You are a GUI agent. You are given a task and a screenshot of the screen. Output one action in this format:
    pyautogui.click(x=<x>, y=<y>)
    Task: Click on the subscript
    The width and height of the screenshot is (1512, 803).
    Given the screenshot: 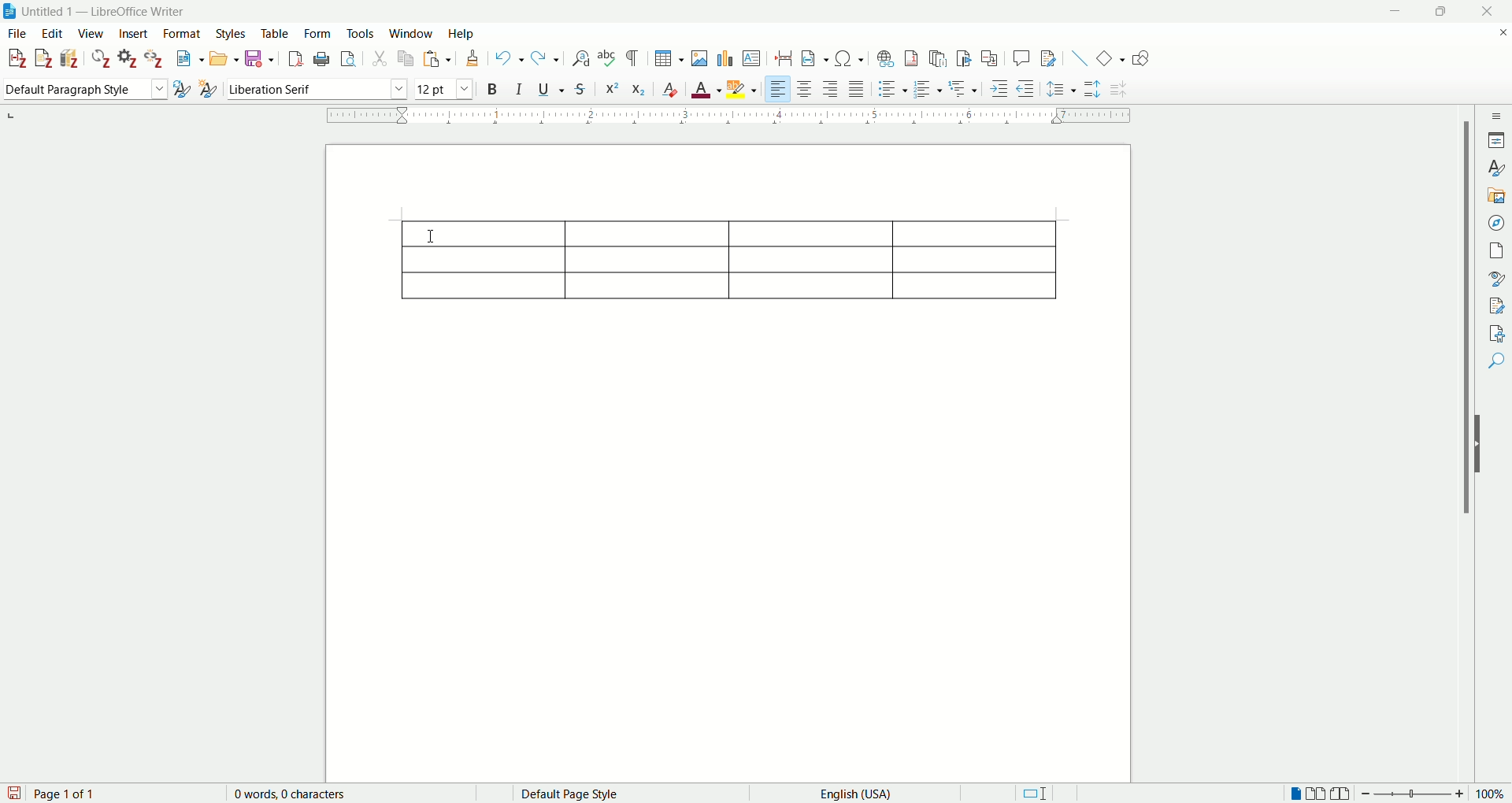 What is the action you would take?
    pyautogui.click(x=639, y=89)
    